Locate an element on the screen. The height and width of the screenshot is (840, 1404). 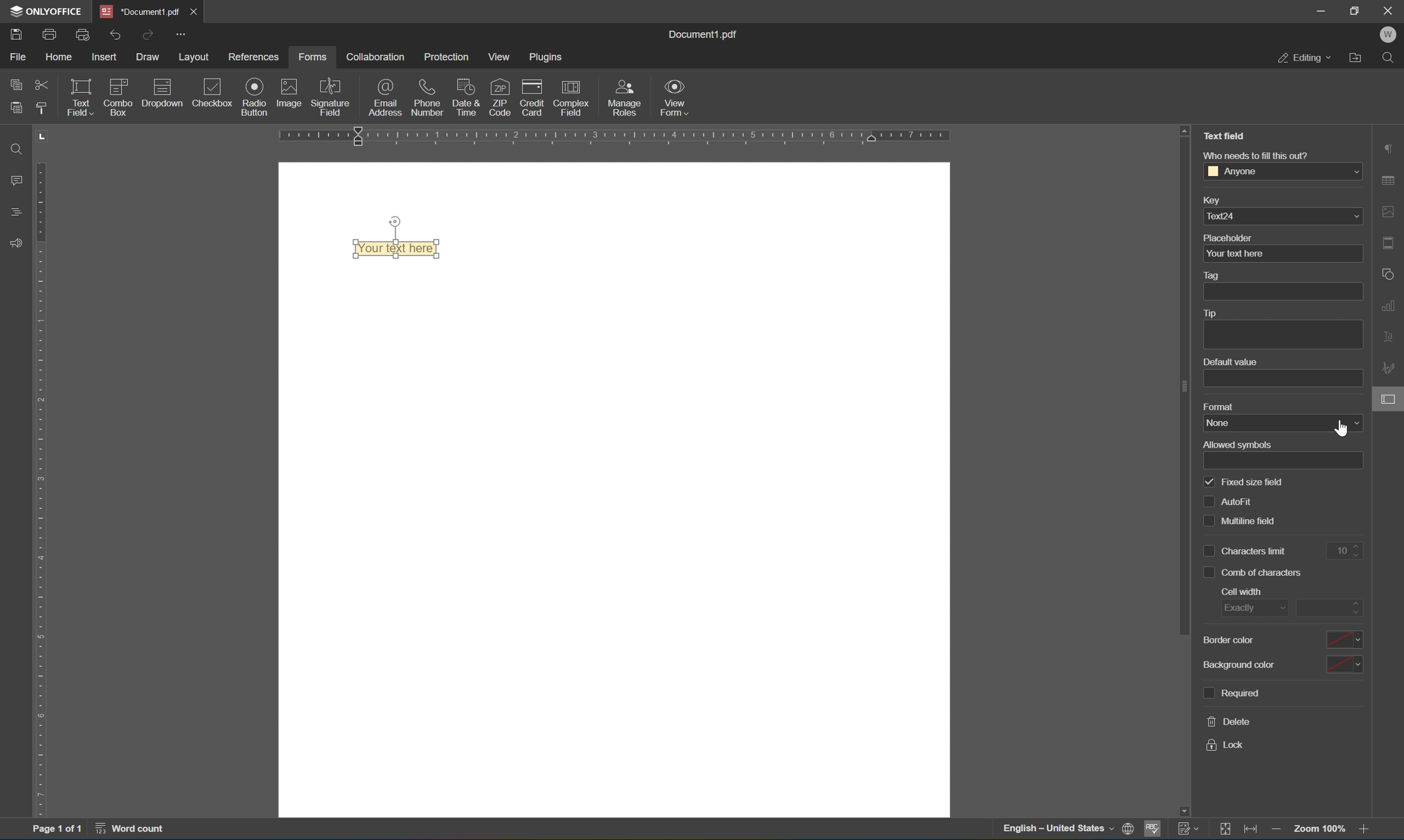
key is located at coordinates (1210, 202).